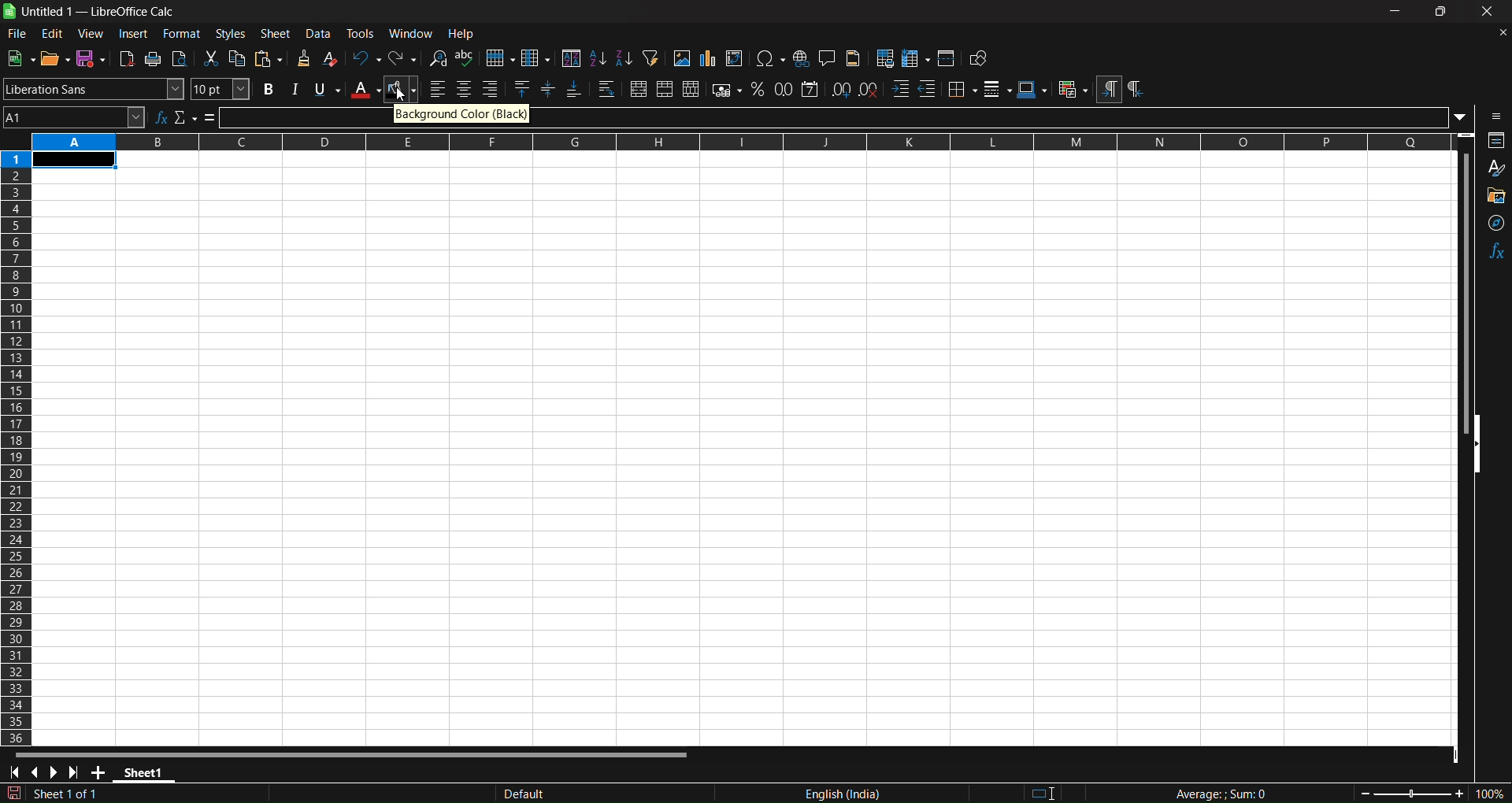 The width and height of the screenshot is (1512, 803). Describe the element at coordinates (501, 56) in the screenshot. I see `row` at that location.